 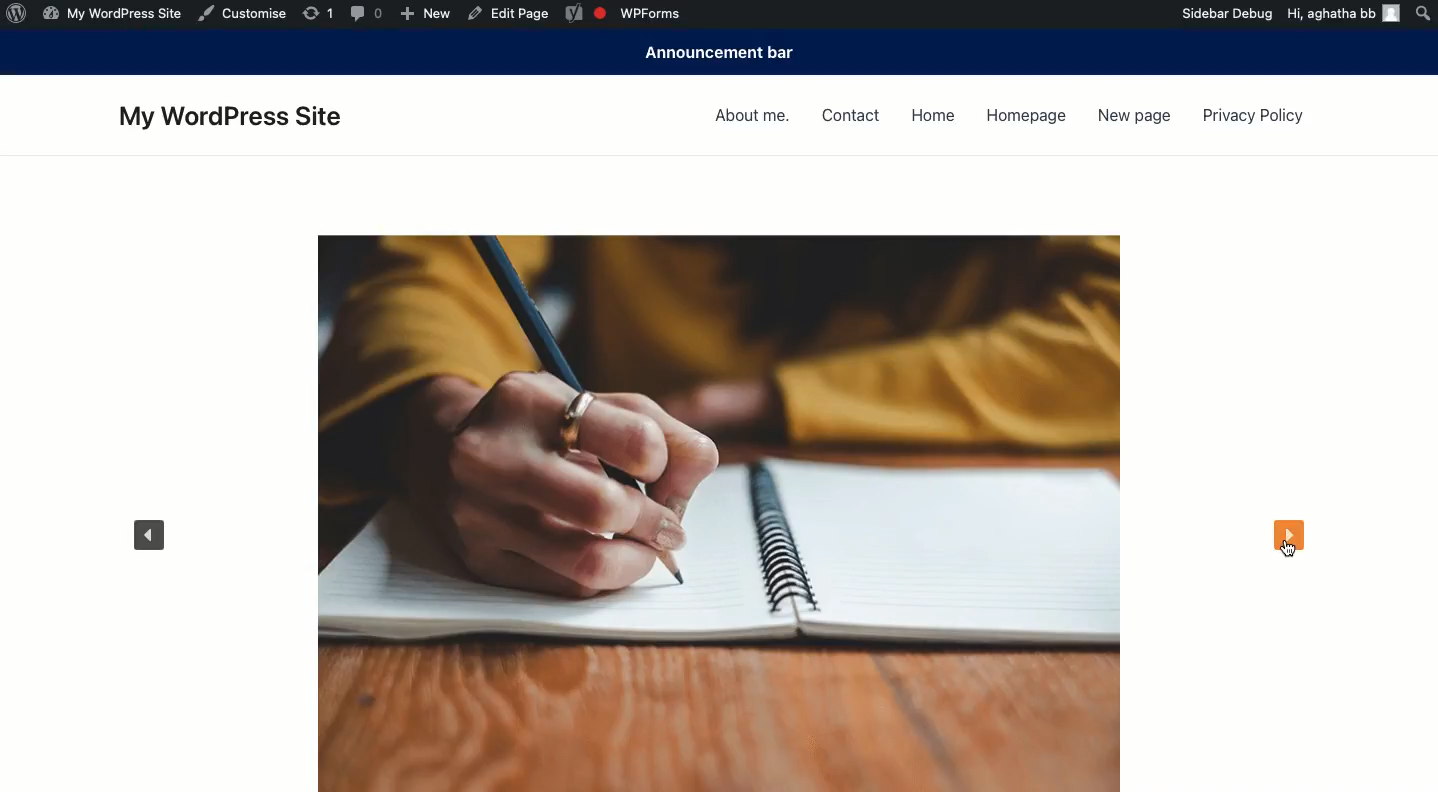 What do you see at coordinates (850, 116) in the screenshot?
I see `Contact` at bounding box center [850, 116].